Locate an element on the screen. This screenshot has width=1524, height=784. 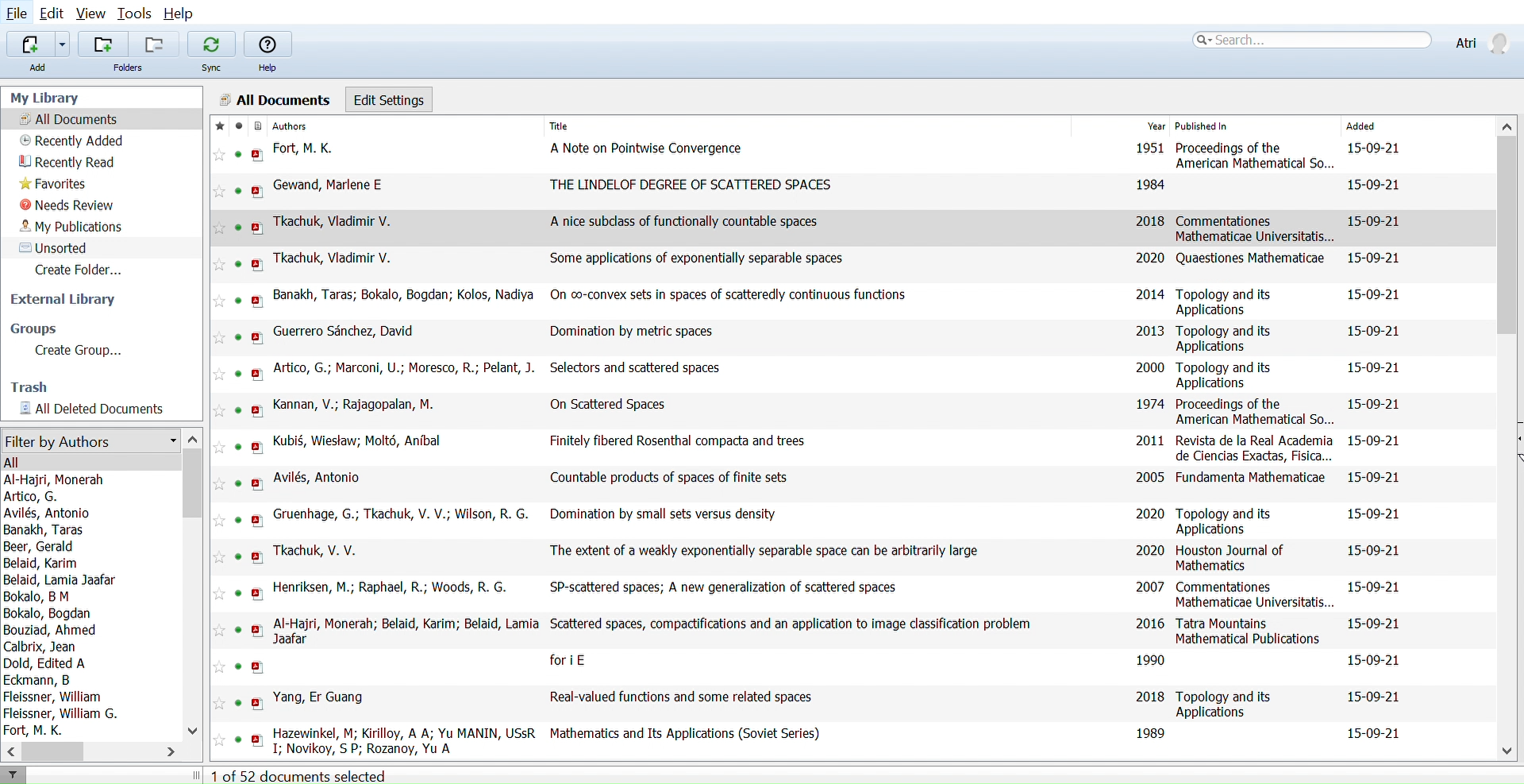
Add this reference to favorites is located at coordinates (220, 522).